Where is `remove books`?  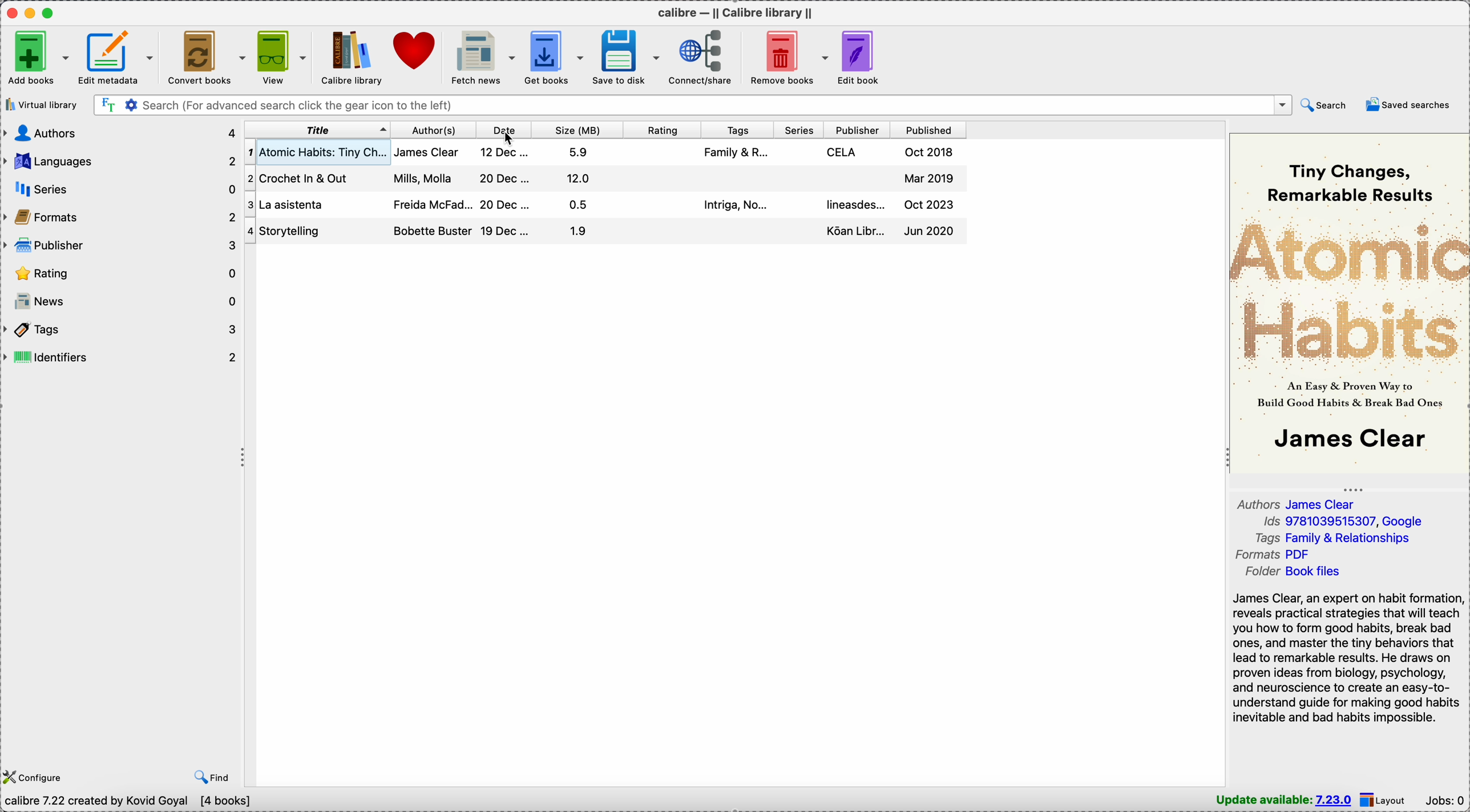
remove books is located at coordinates (787, 56).